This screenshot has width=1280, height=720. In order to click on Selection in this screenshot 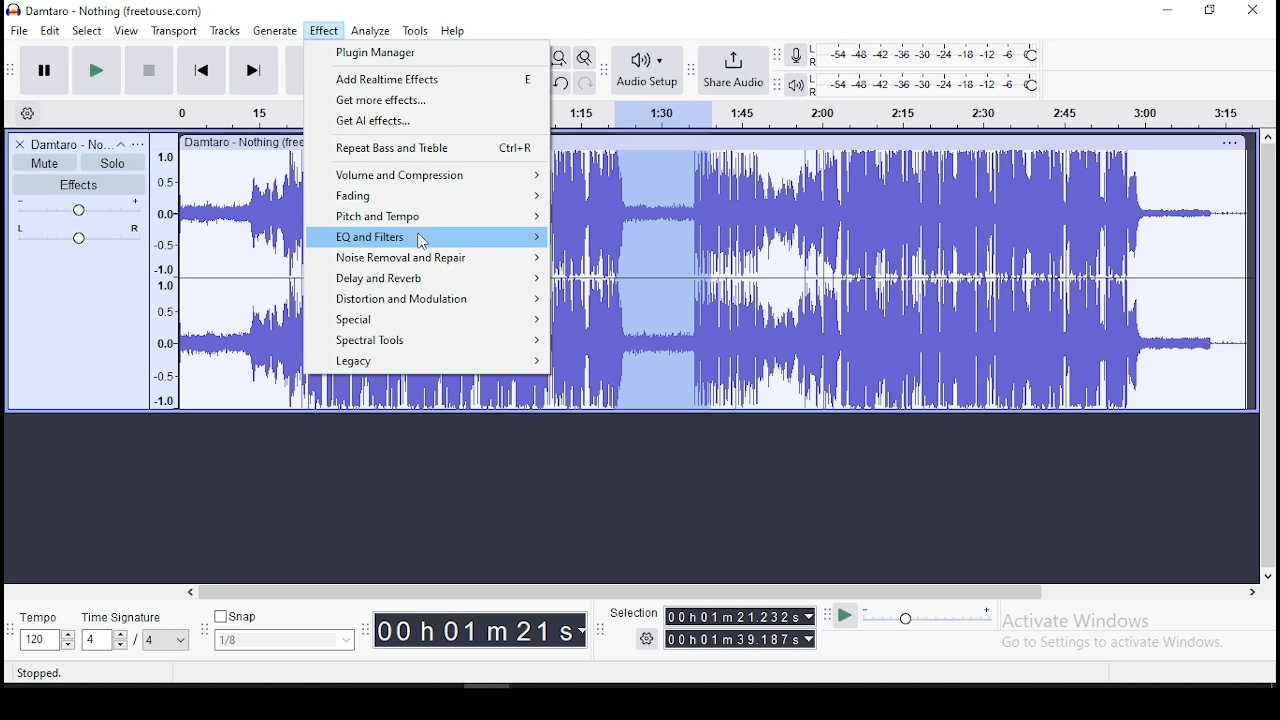, I will do `click(632, 613)`.